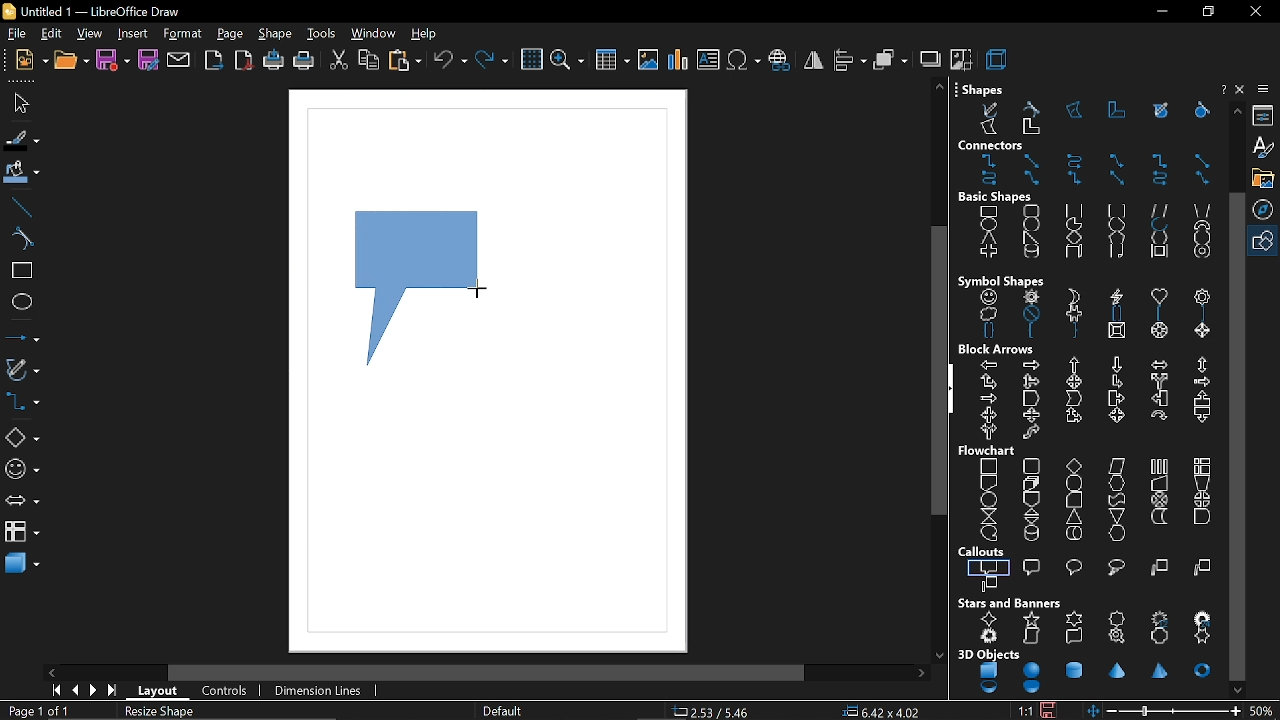 This screenshot has height=720, width=1280. I want to click on ellipse, so click(20, 301).